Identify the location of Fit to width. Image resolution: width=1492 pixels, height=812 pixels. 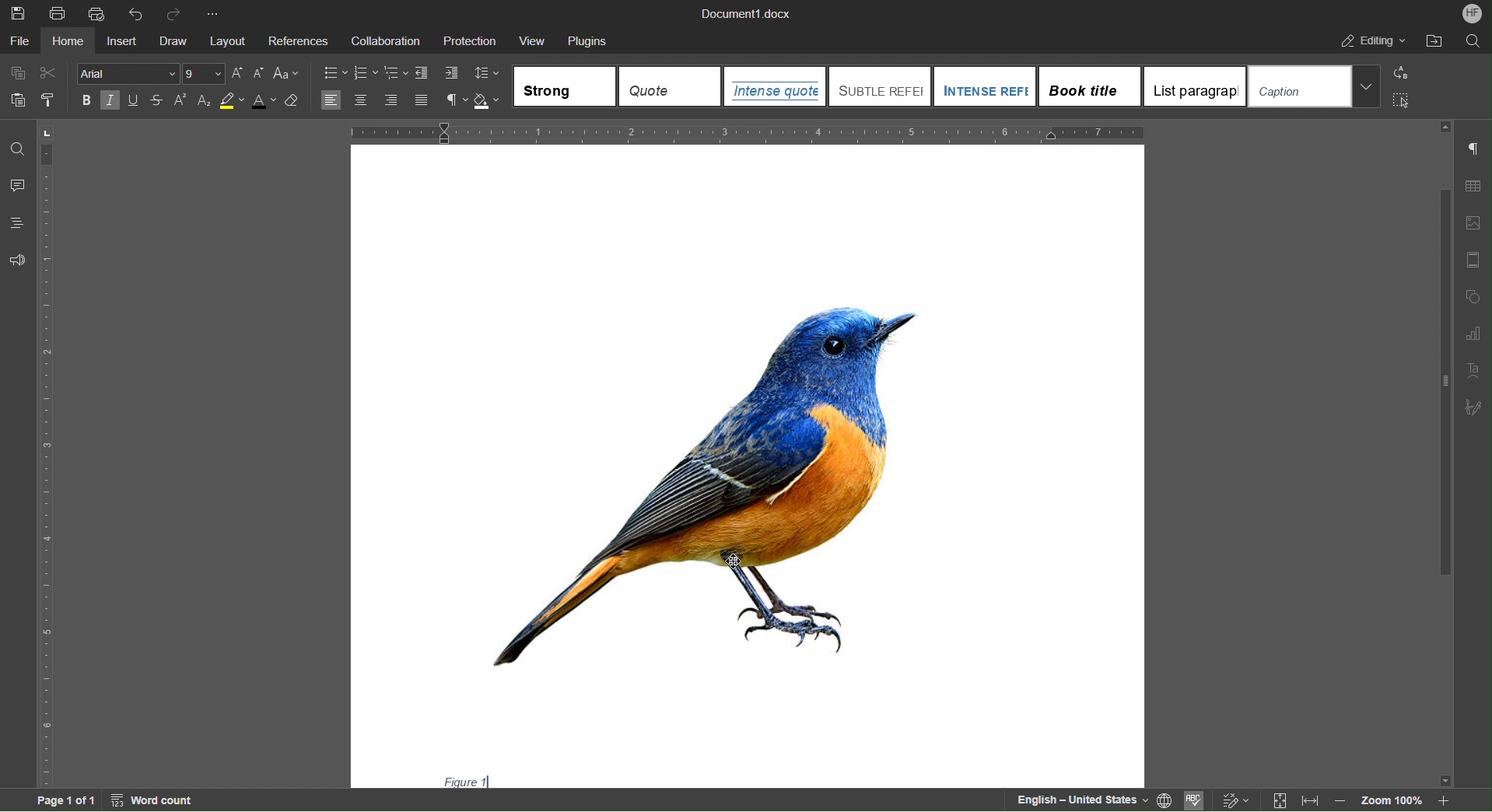
(1308, 800).